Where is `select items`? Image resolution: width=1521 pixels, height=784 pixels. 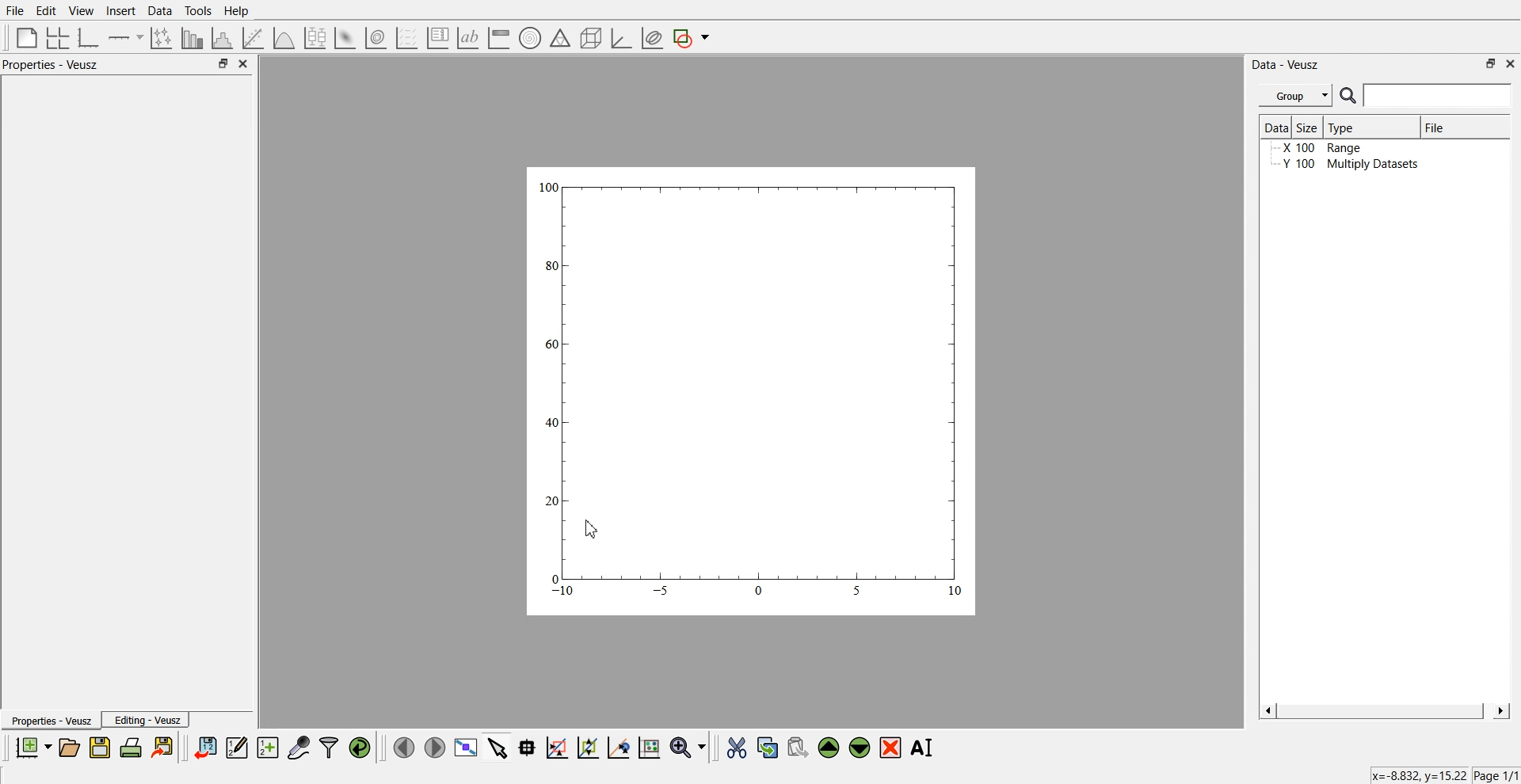 select items is located at coordinates (497, 747).